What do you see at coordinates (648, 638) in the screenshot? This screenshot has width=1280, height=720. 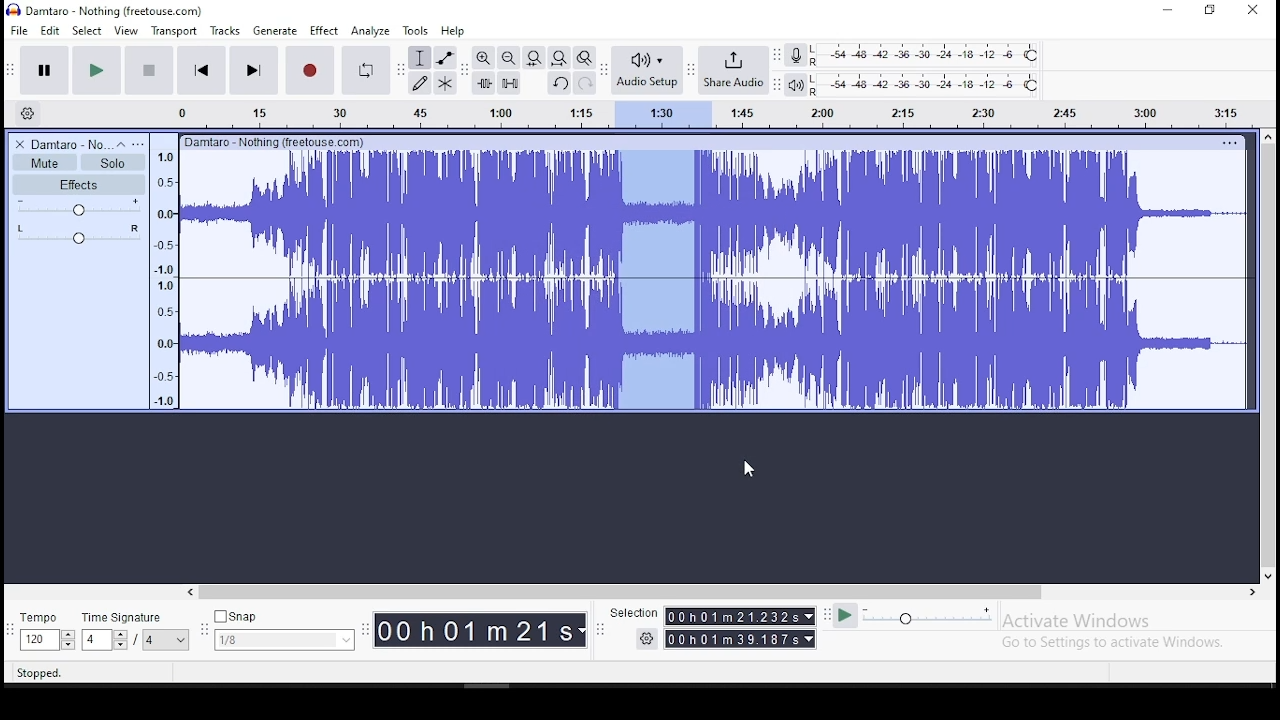 I see `Settings` at bounding box center [648, 638].